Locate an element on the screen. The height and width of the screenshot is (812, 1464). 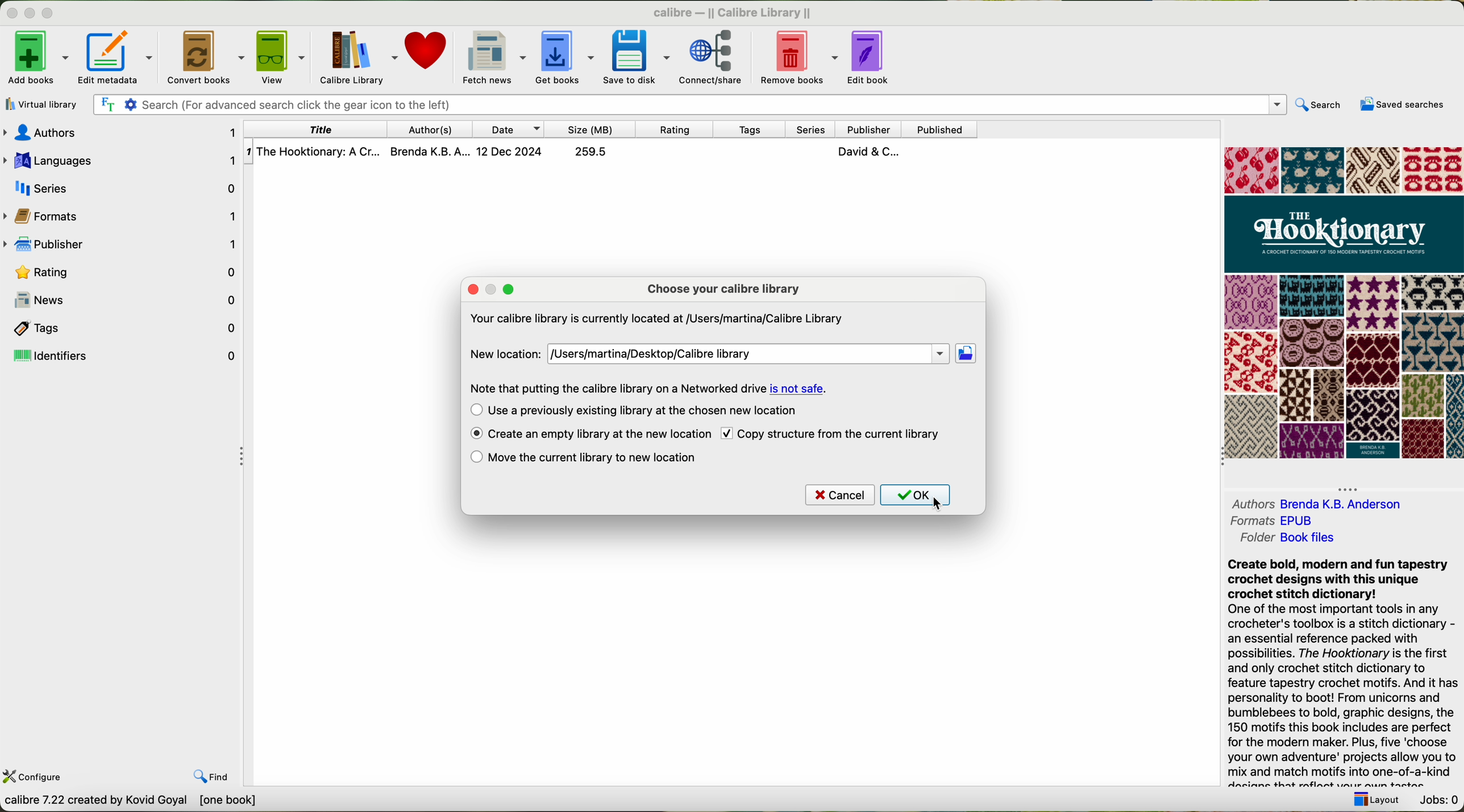
new location is located at coordinates (504, 356).